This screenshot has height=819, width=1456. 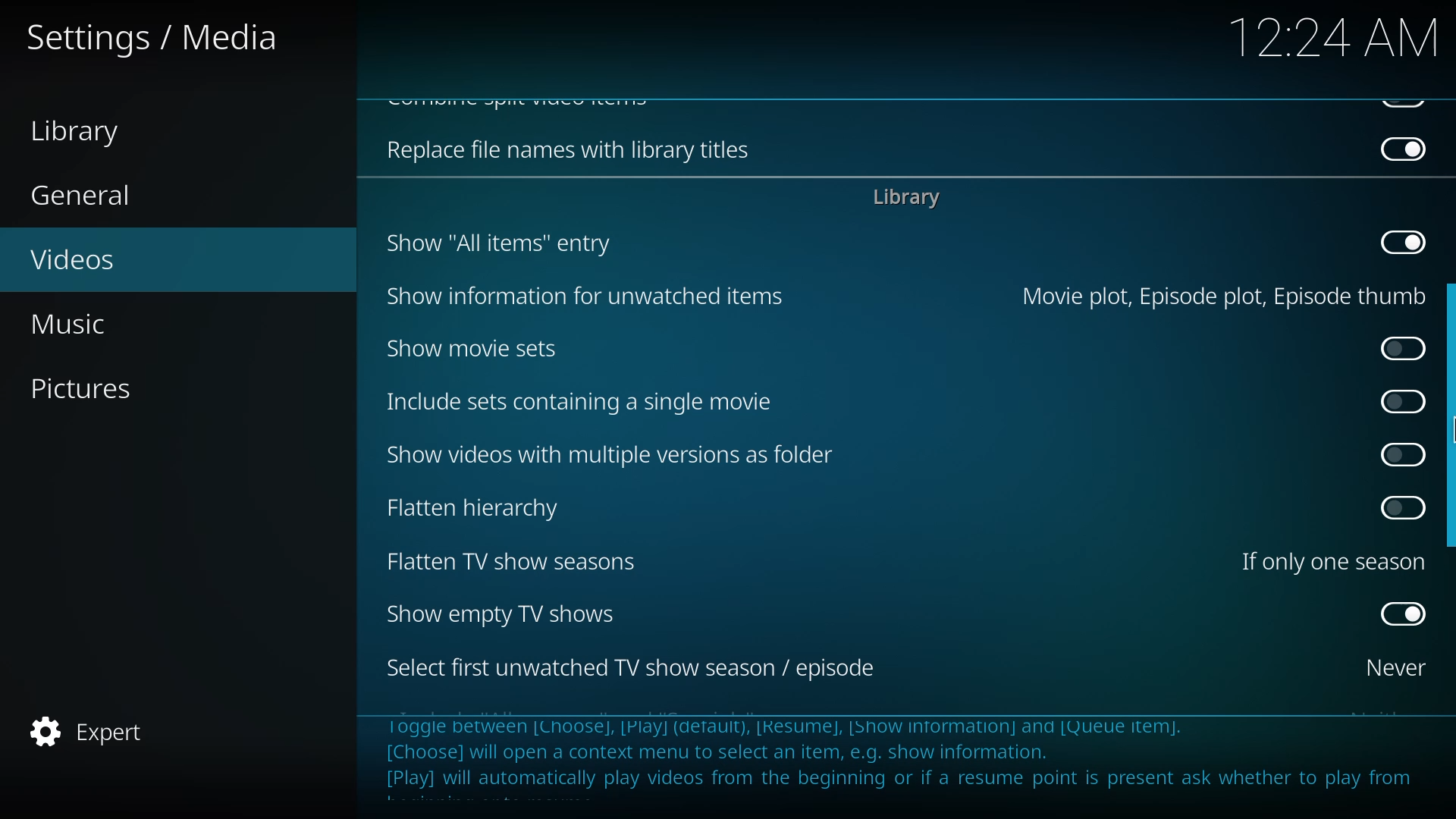 I want to click on library, so click(x=902, y=198).